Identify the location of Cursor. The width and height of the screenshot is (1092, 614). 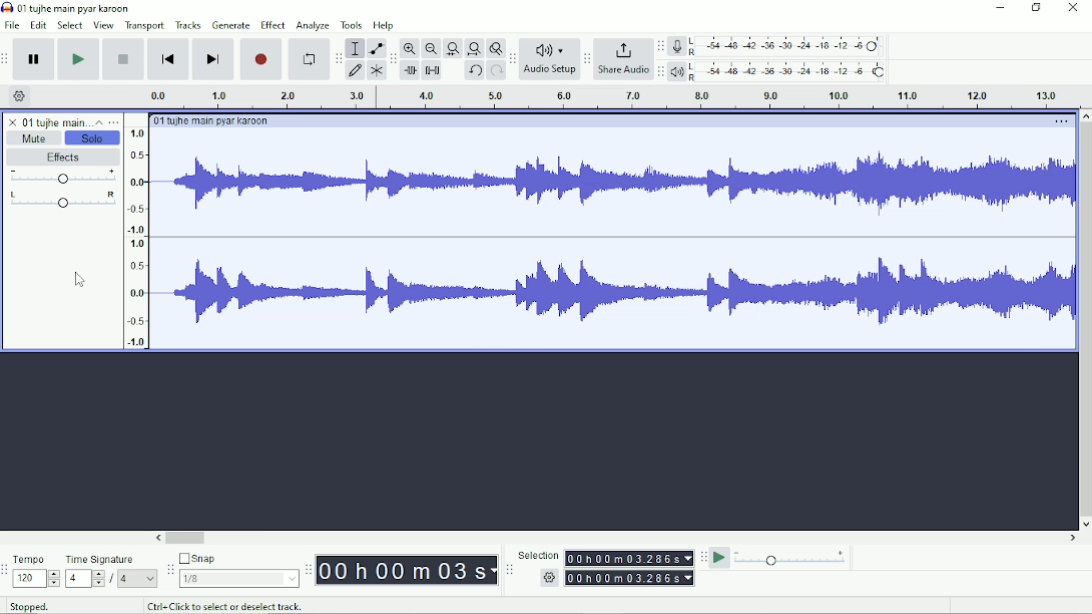
(78, 279).